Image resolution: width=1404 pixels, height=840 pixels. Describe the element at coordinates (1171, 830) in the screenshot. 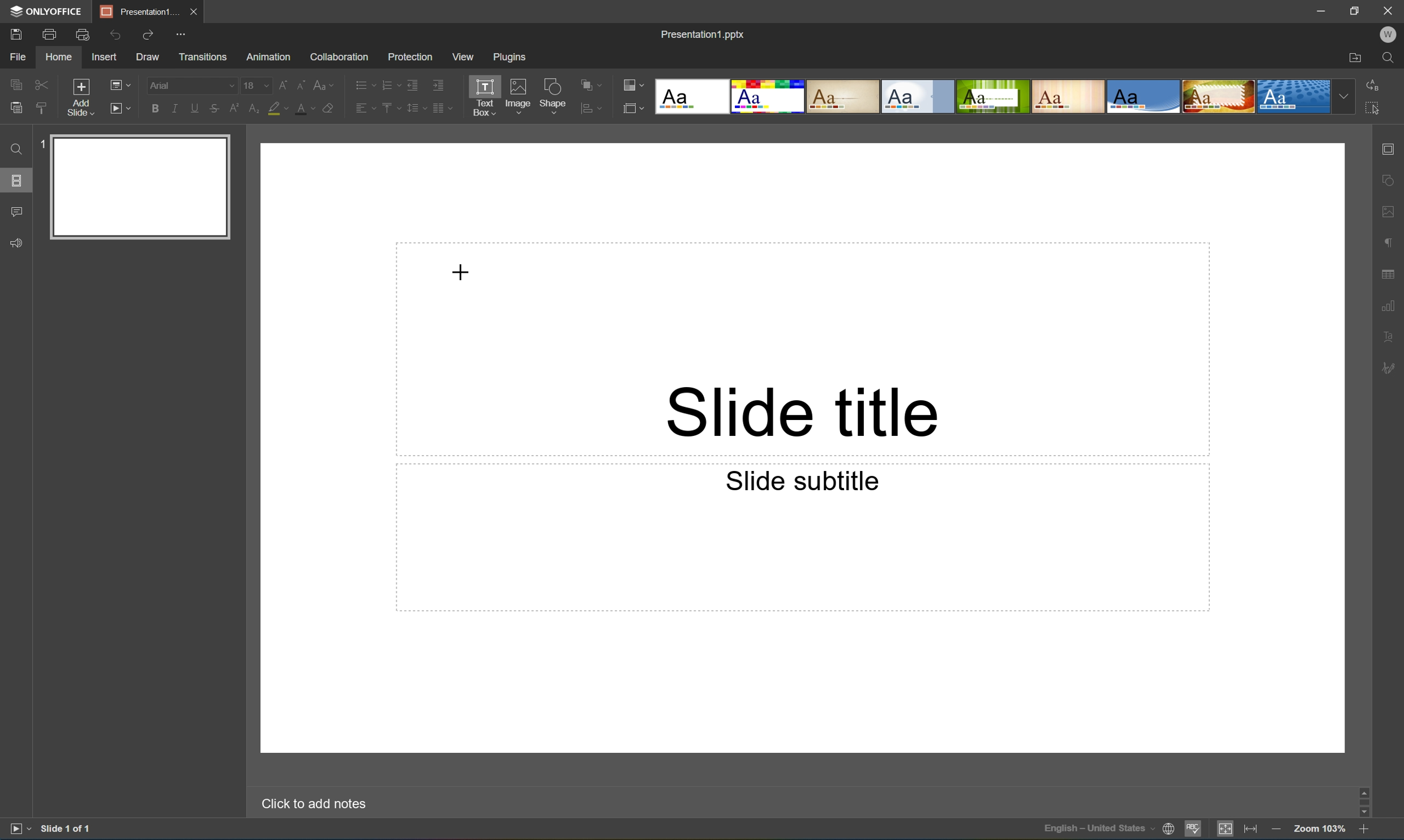

I see `Set document language` at that location.